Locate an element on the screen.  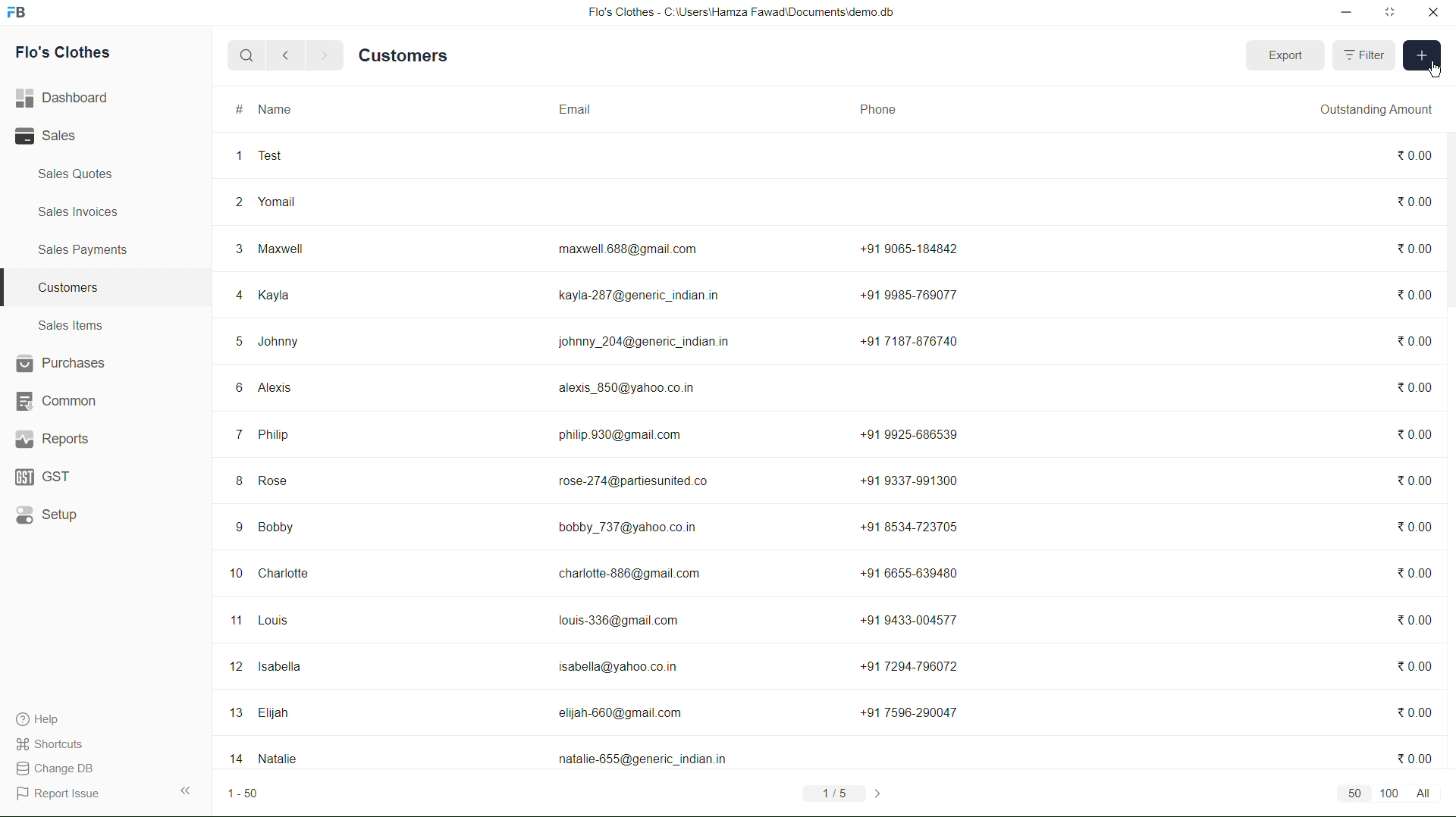
Setup is located at coordinates (47, 516).